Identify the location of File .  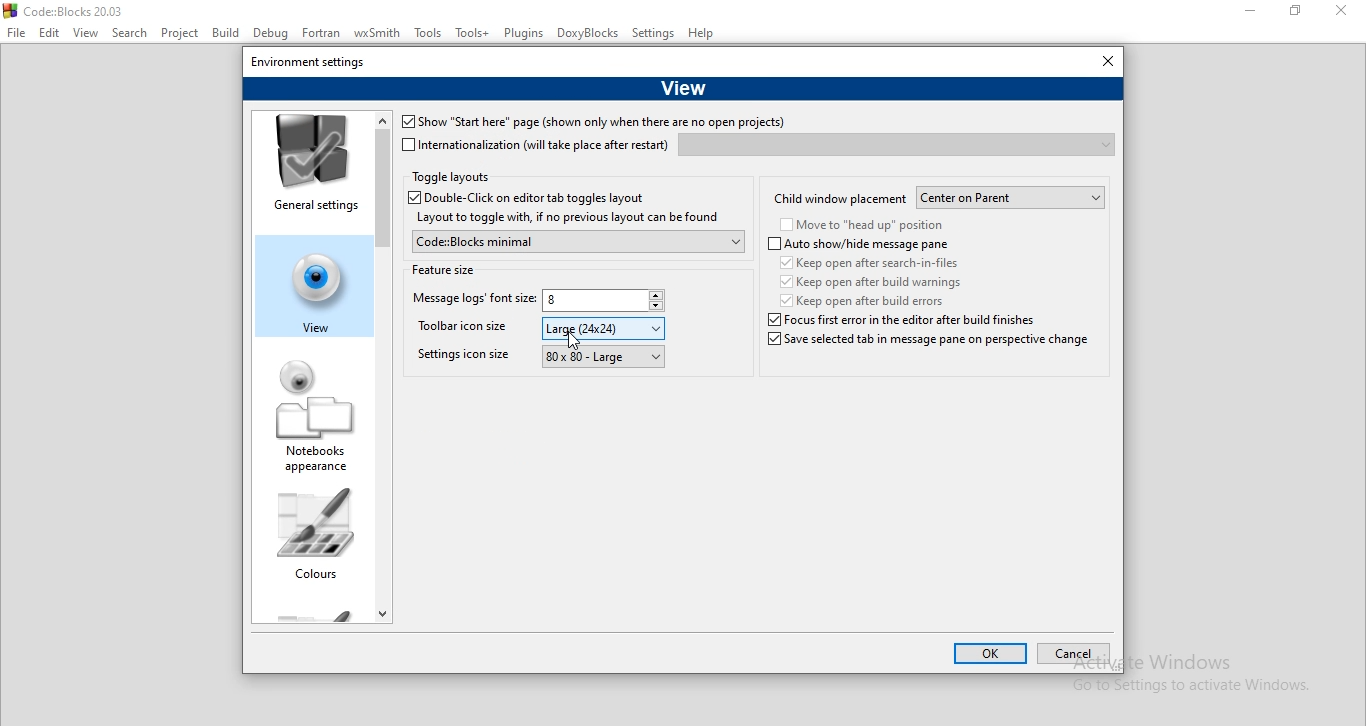
(16, 33).